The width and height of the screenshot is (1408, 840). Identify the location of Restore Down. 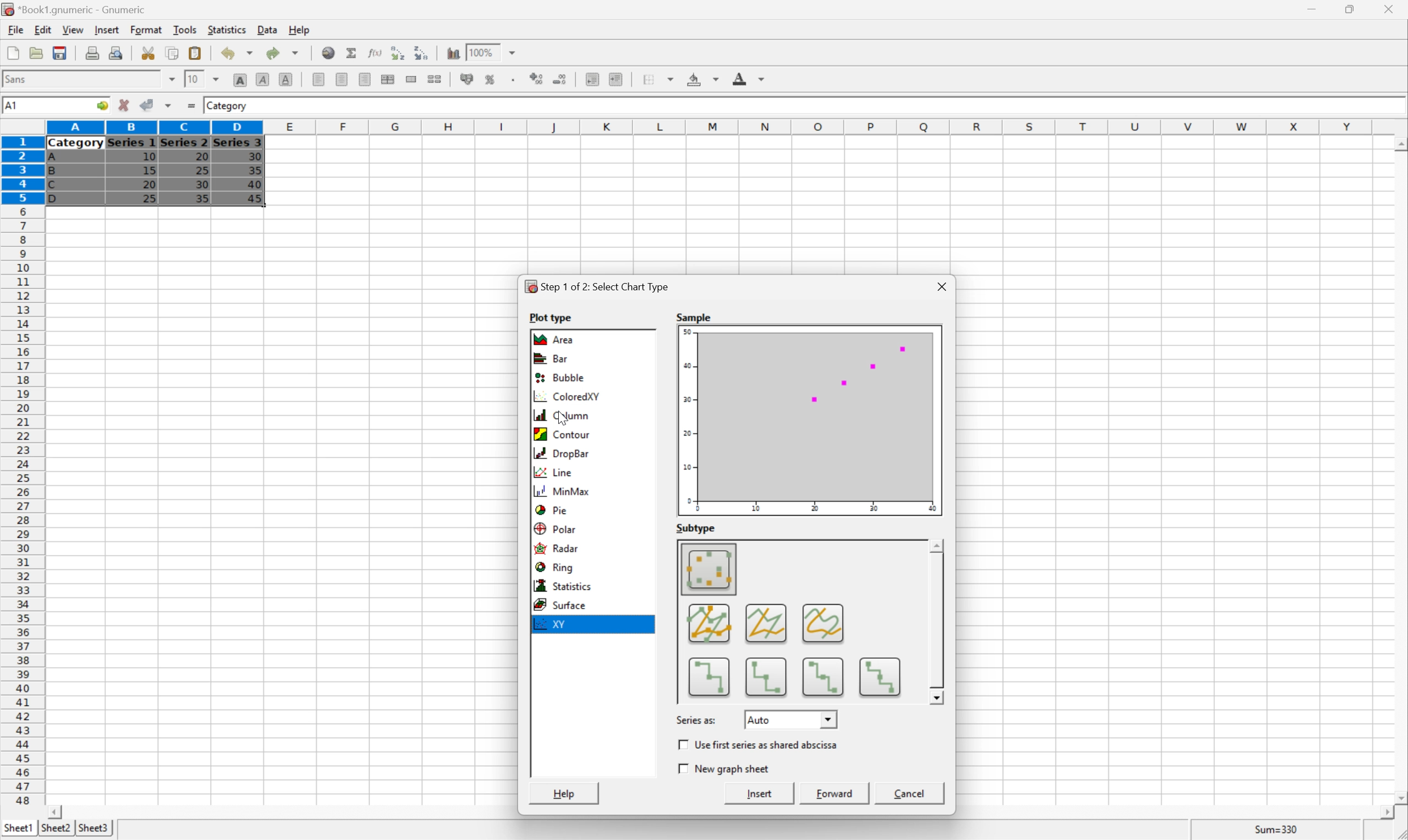
(1344, 9).